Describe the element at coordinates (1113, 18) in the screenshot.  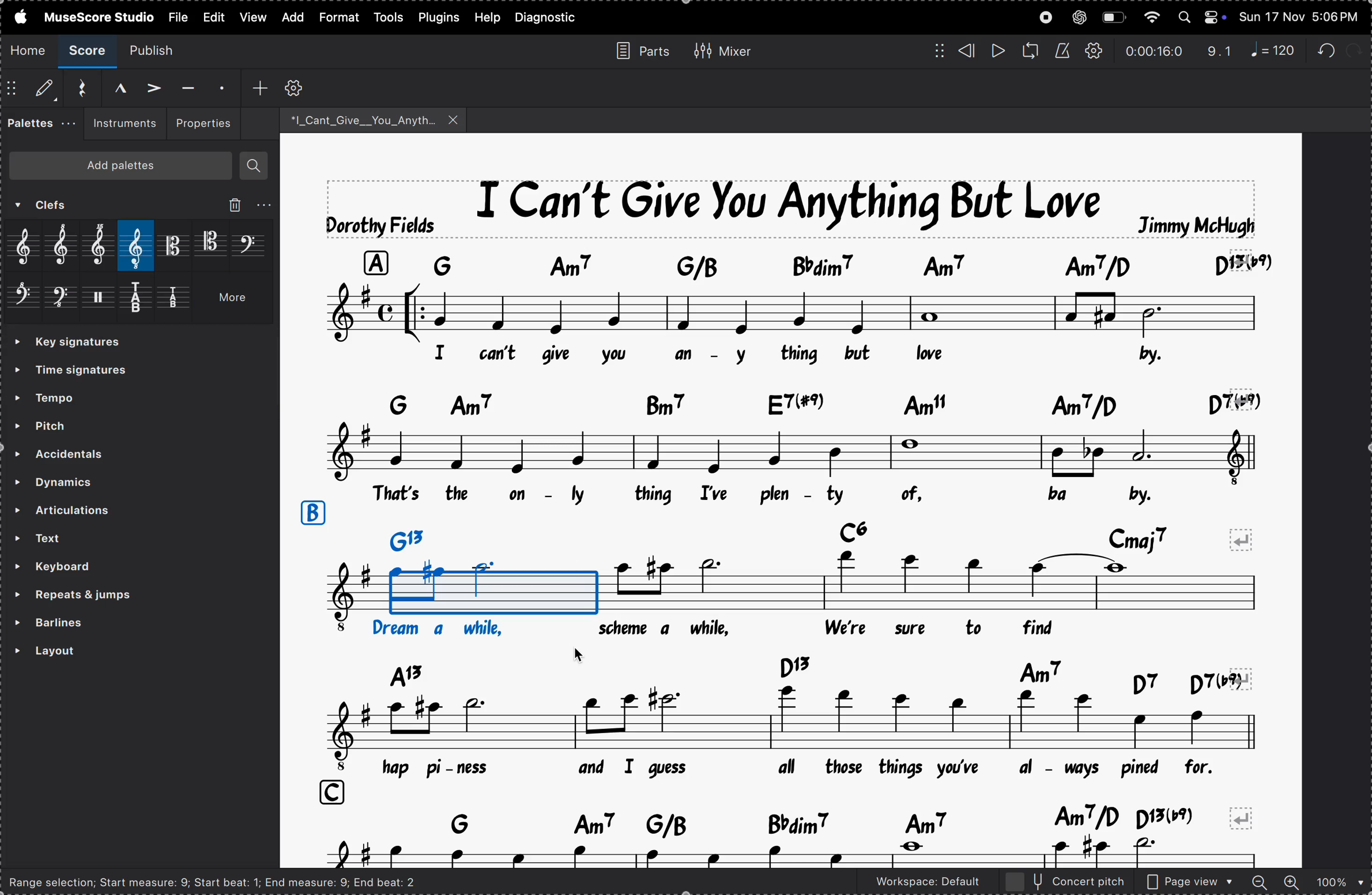
I see `battery` at that location.